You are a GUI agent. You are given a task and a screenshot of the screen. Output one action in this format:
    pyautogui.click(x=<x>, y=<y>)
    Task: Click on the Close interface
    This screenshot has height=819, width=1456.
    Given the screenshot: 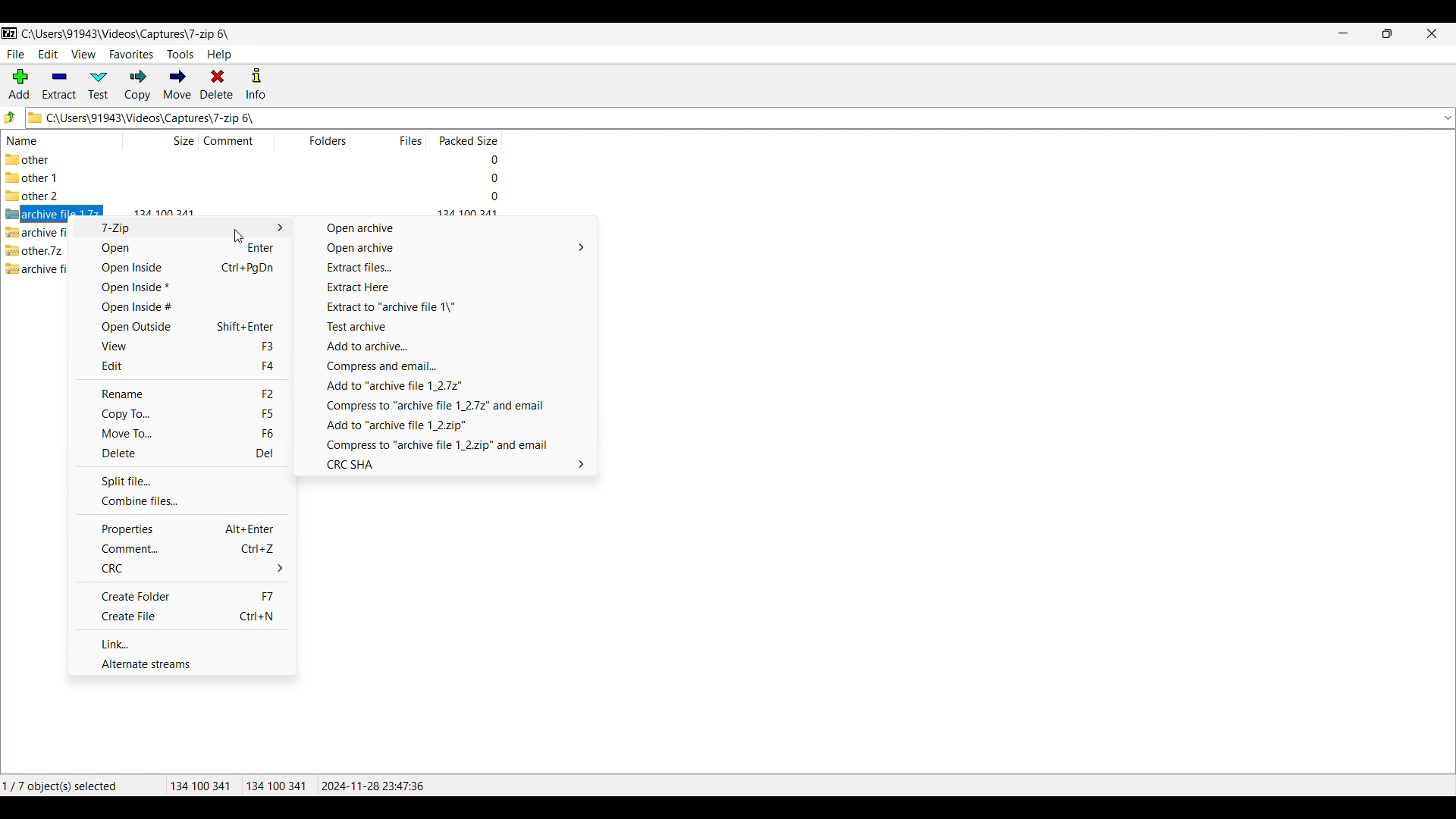 What is the action you would take?
    pyautogui.click(x=1432, y=33)
    